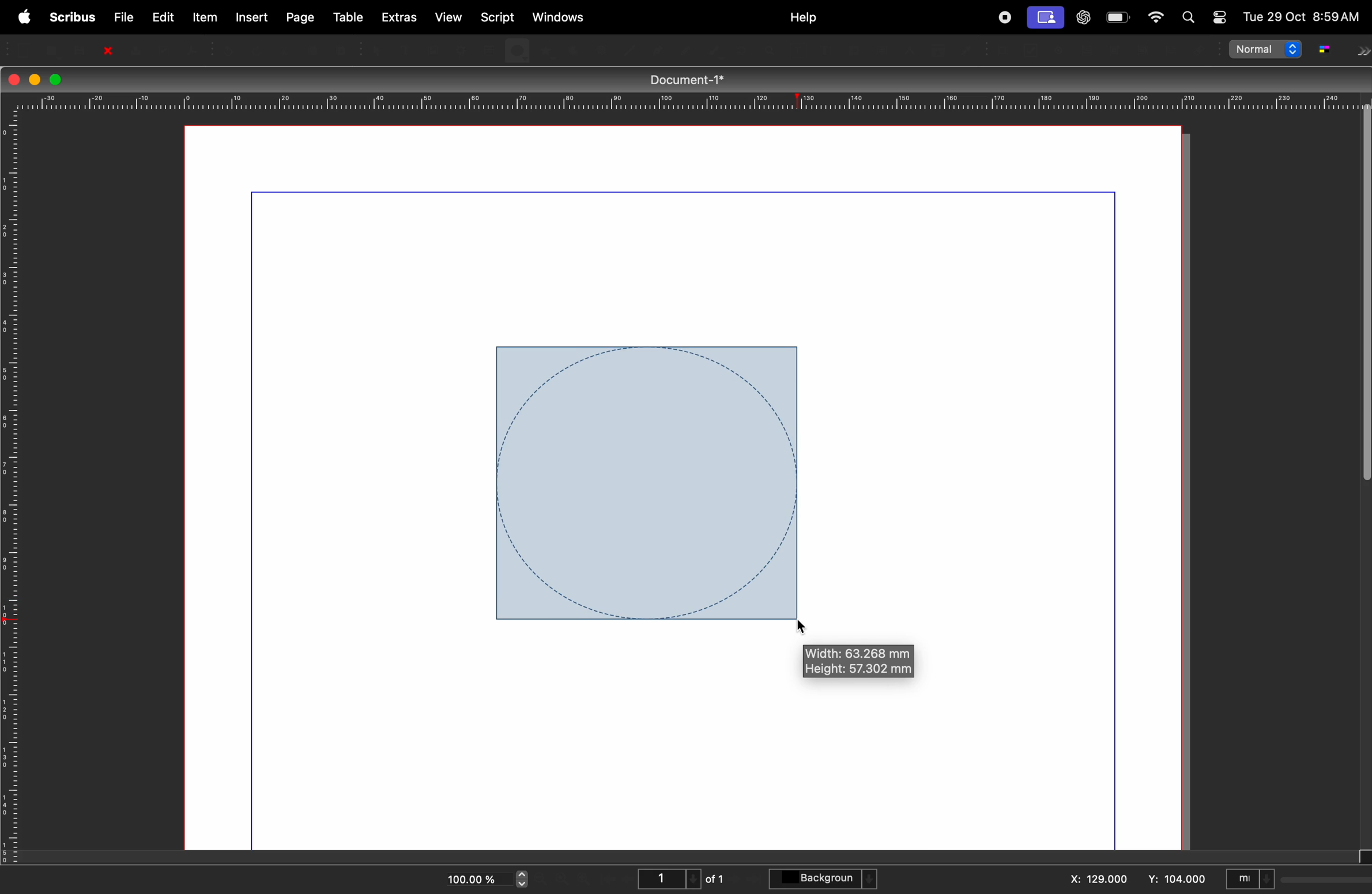 Image resolution: width=1372 pixels, height=894 pixels. What do you see at coordinates (1004, 17) in the screenshot?
I see `record` at bounding box center [1004, 17].